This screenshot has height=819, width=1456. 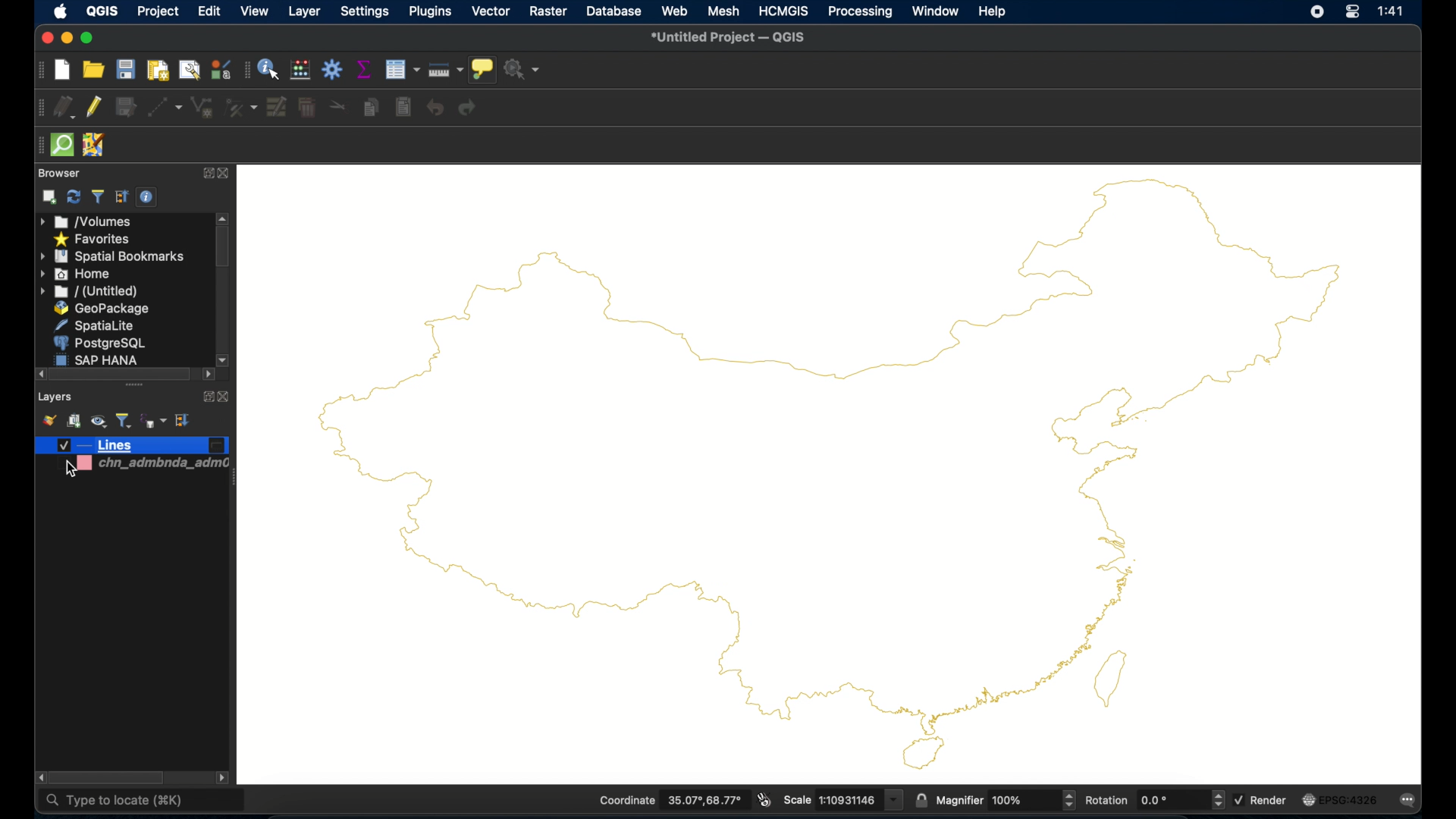 What do you see at coordinates (68, 39) in the screenshot?
I see `minimize` at bounding box center [68, 39].